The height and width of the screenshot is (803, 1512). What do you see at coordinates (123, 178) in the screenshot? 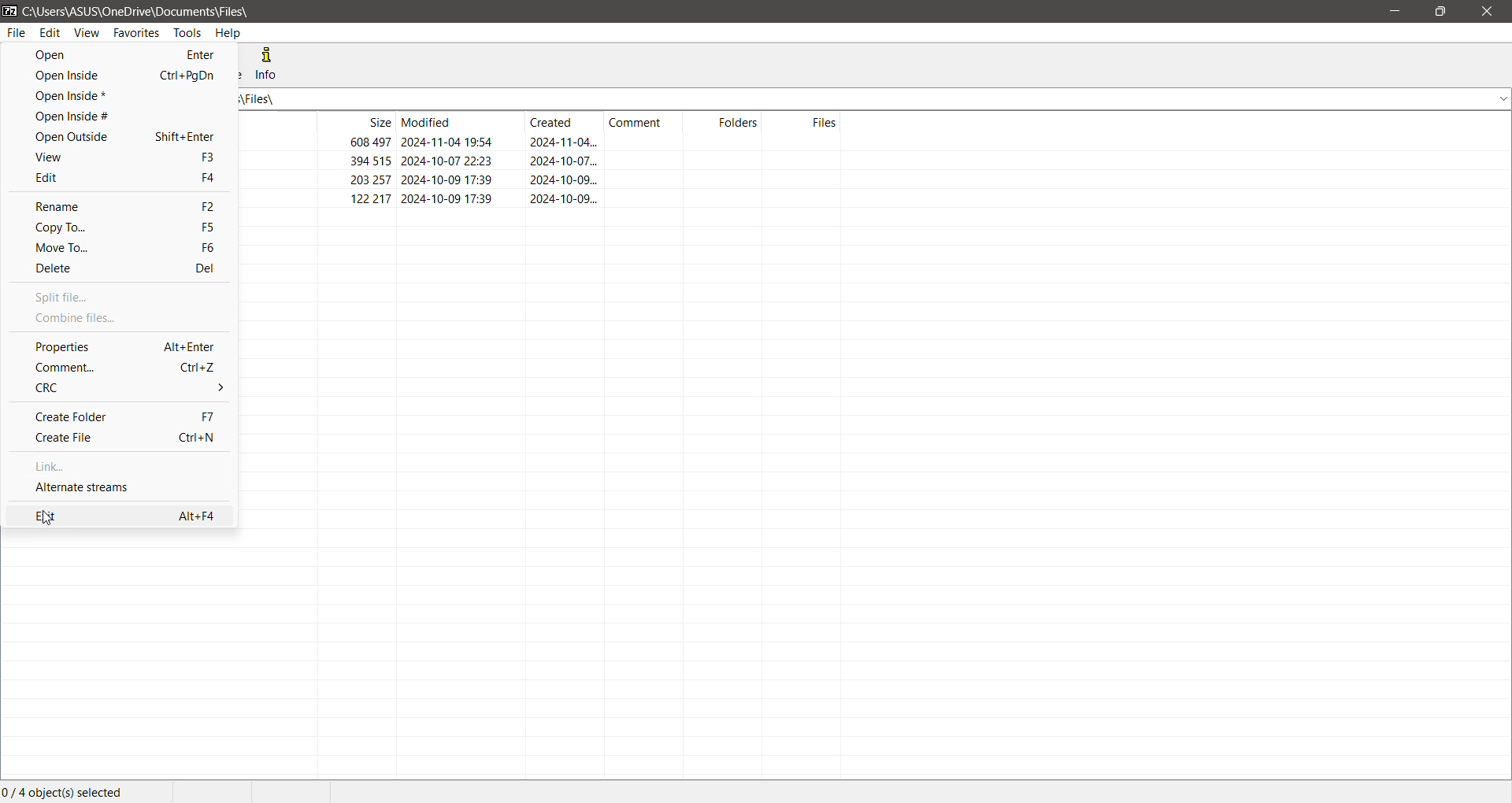
I see `Edit` at bounding box center [123, 178].